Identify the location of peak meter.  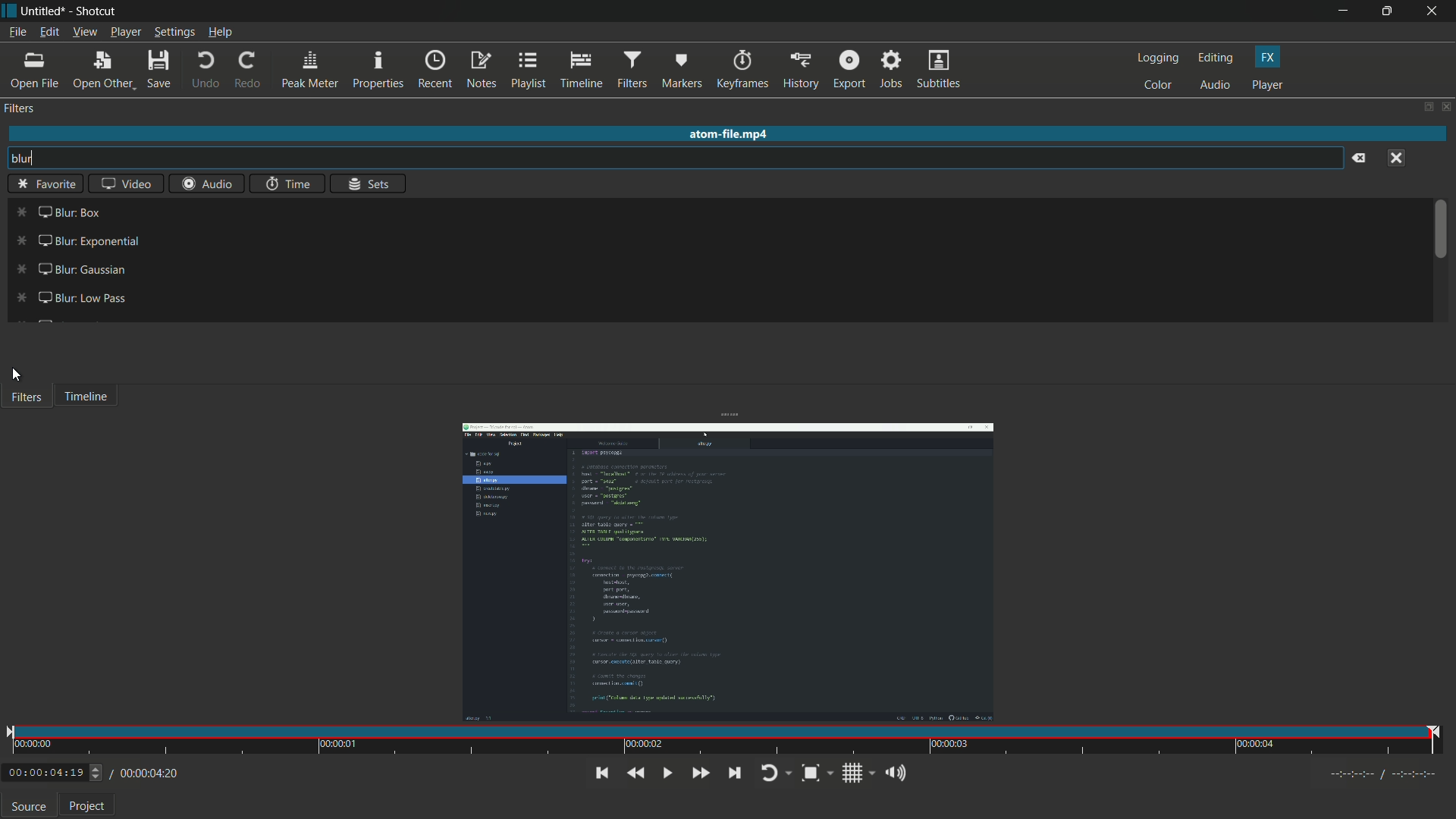
(308, 71).